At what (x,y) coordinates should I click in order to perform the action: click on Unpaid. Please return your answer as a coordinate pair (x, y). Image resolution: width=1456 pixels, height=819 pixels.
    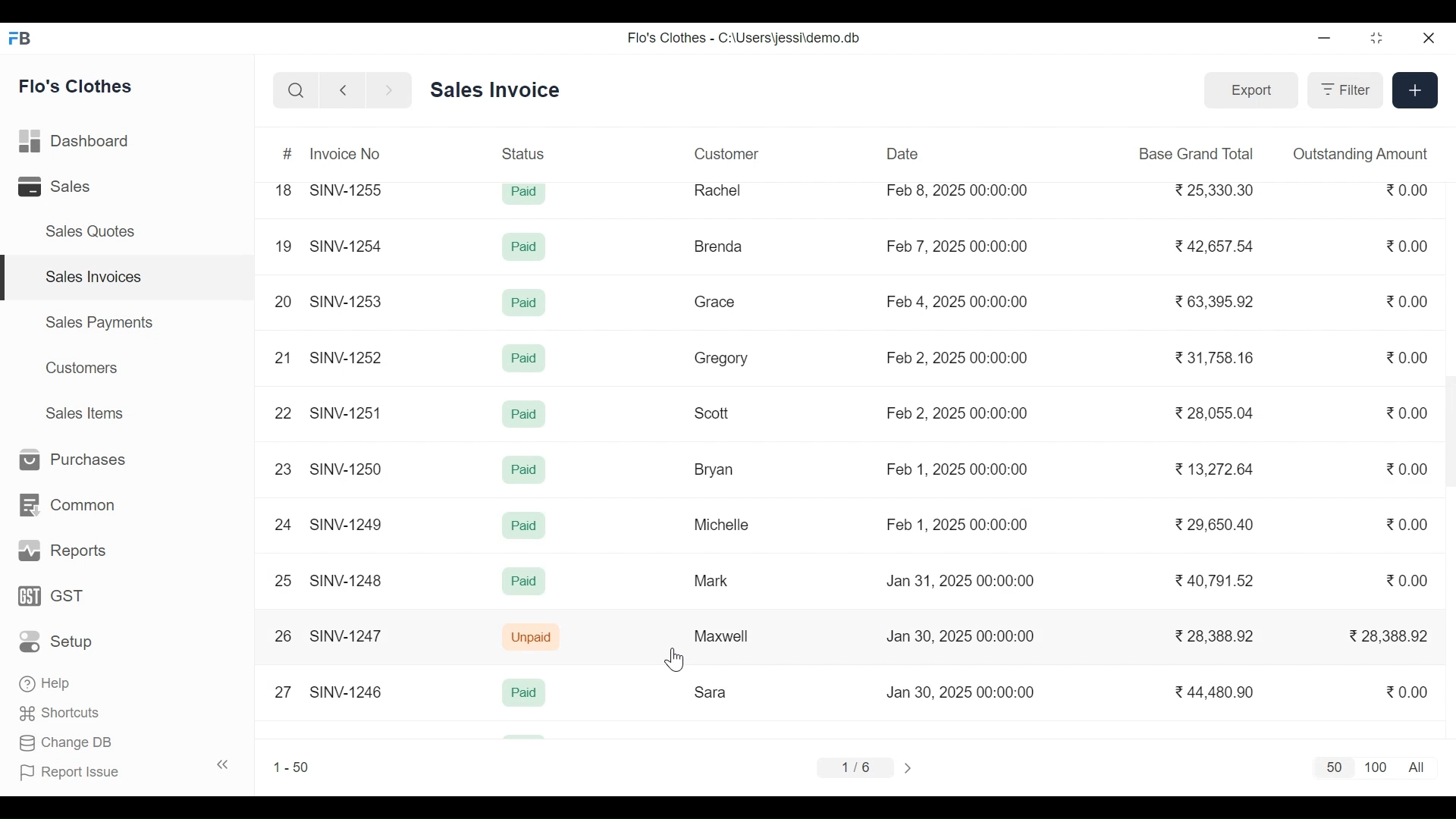
    Looking at the image, I should click on (533, 638).